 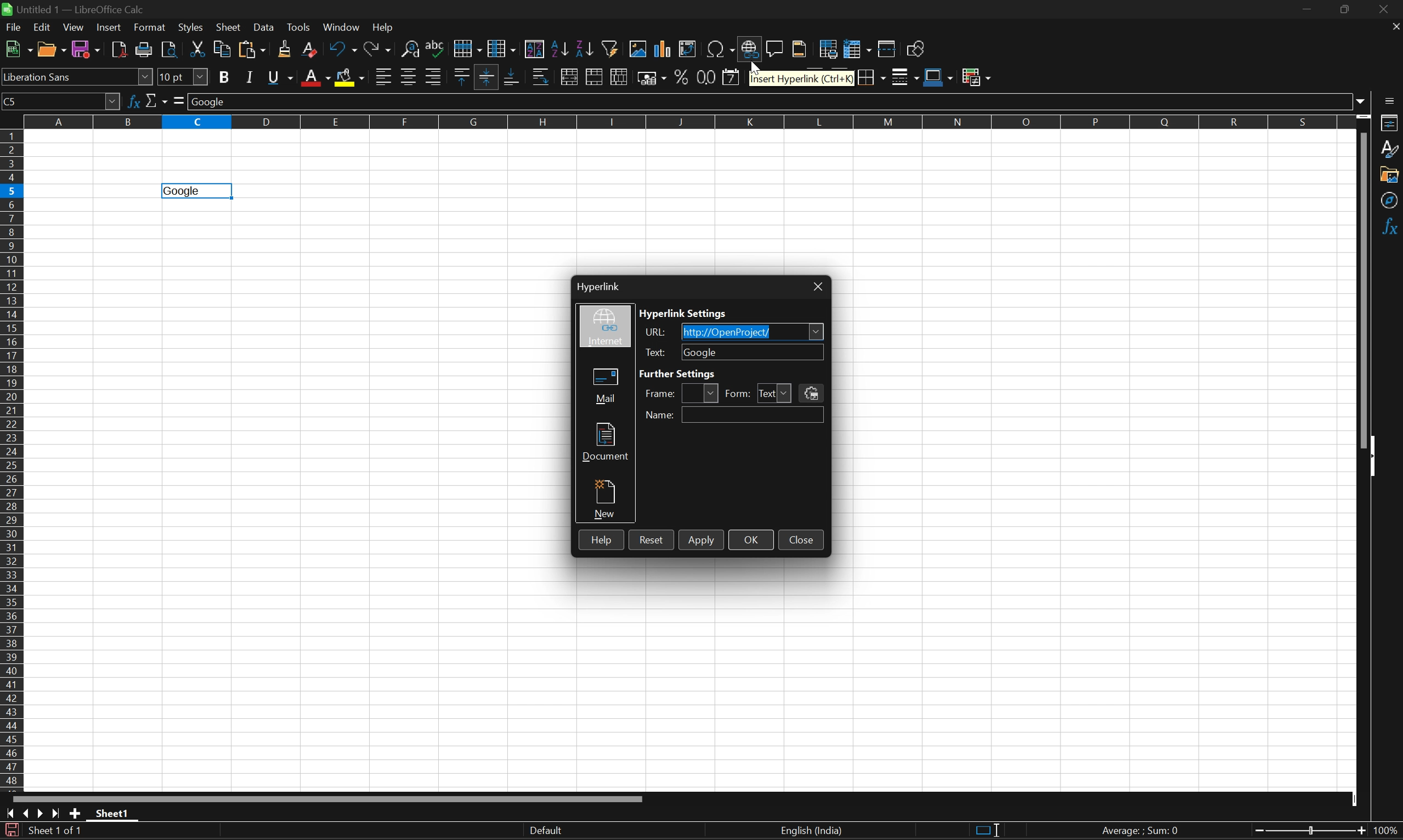 I want to click on Insert or edit pivot table, so click(x=688, y=48).